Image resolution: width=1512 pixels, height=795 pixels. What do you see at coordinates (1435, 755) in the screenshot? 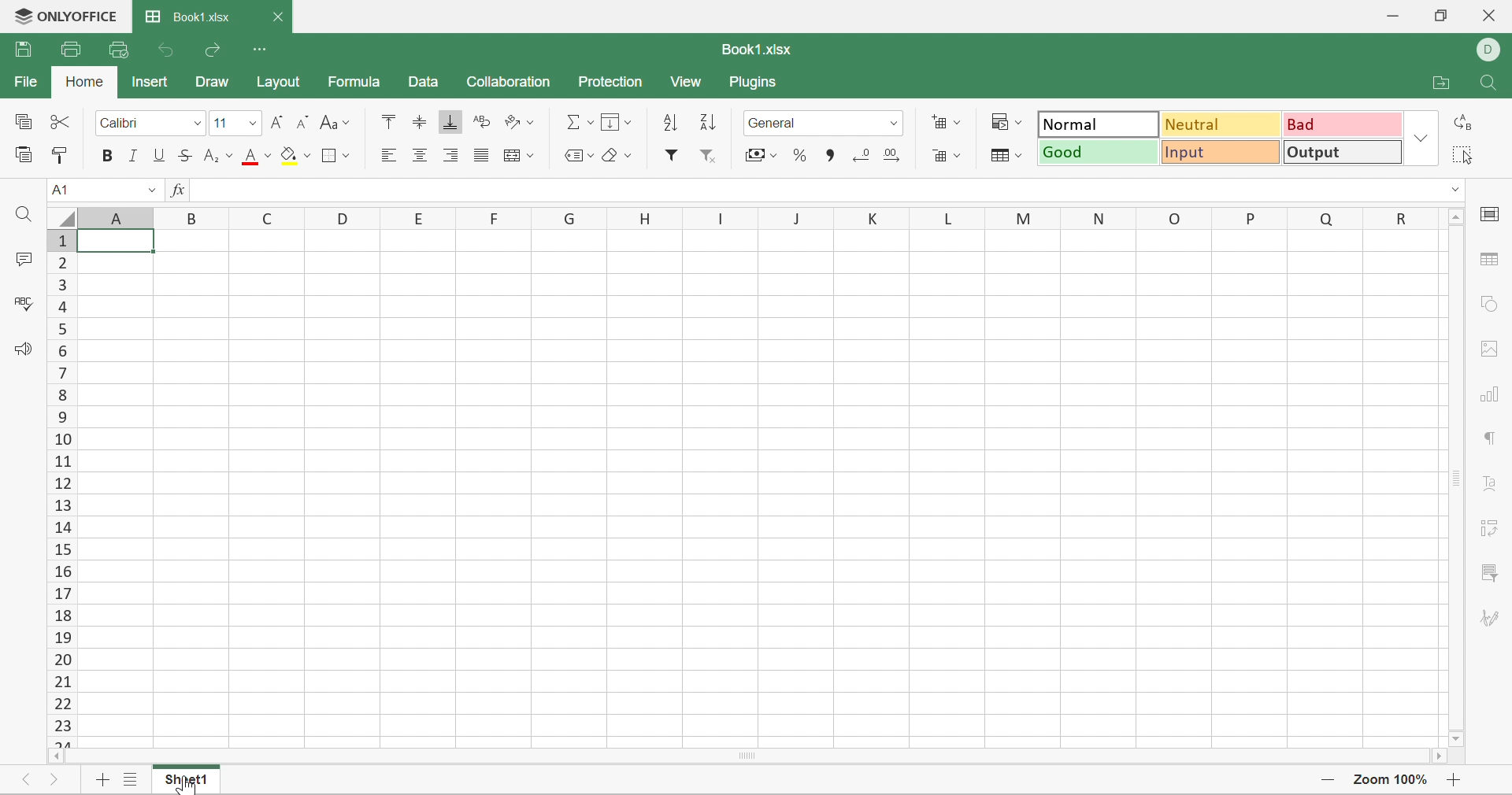
I see `Scroll right` at bounding box center [1435, 755].